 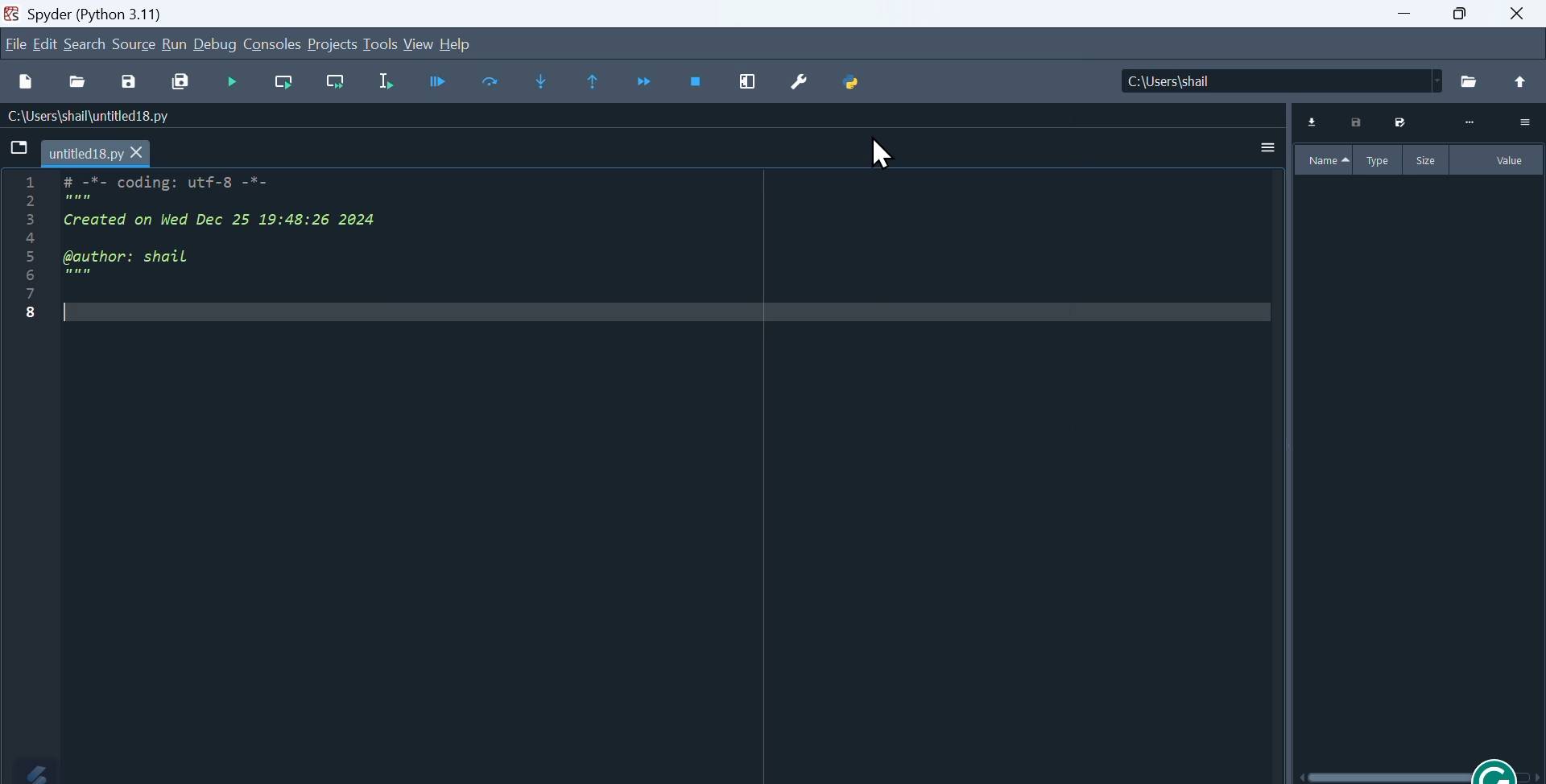 What do you see at coordinates (1520, 80) in the screenshot?
I see `upload` at bounding box center [1520, 80].